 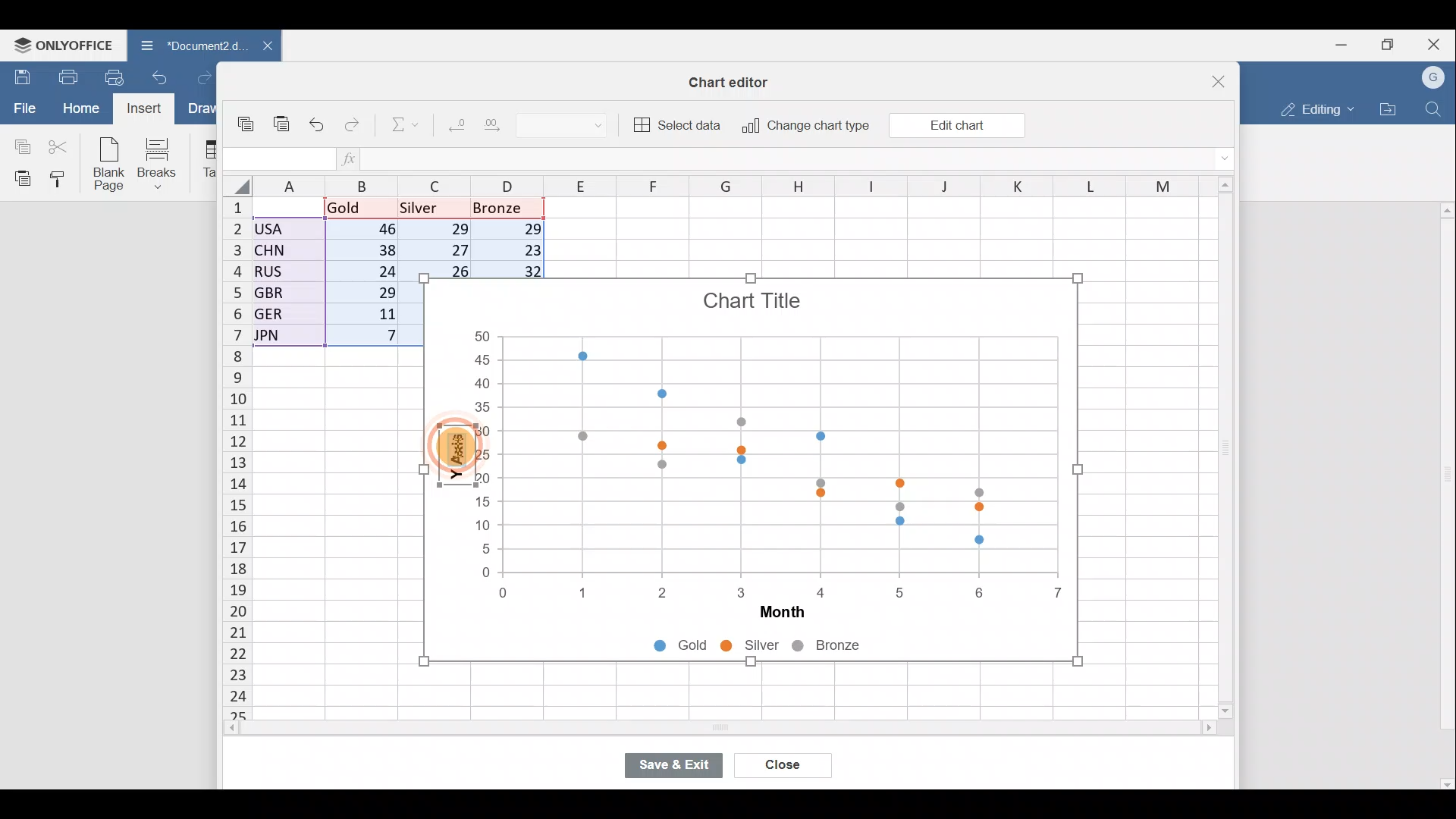 I want to click on Month, so click(x=775, y=614).